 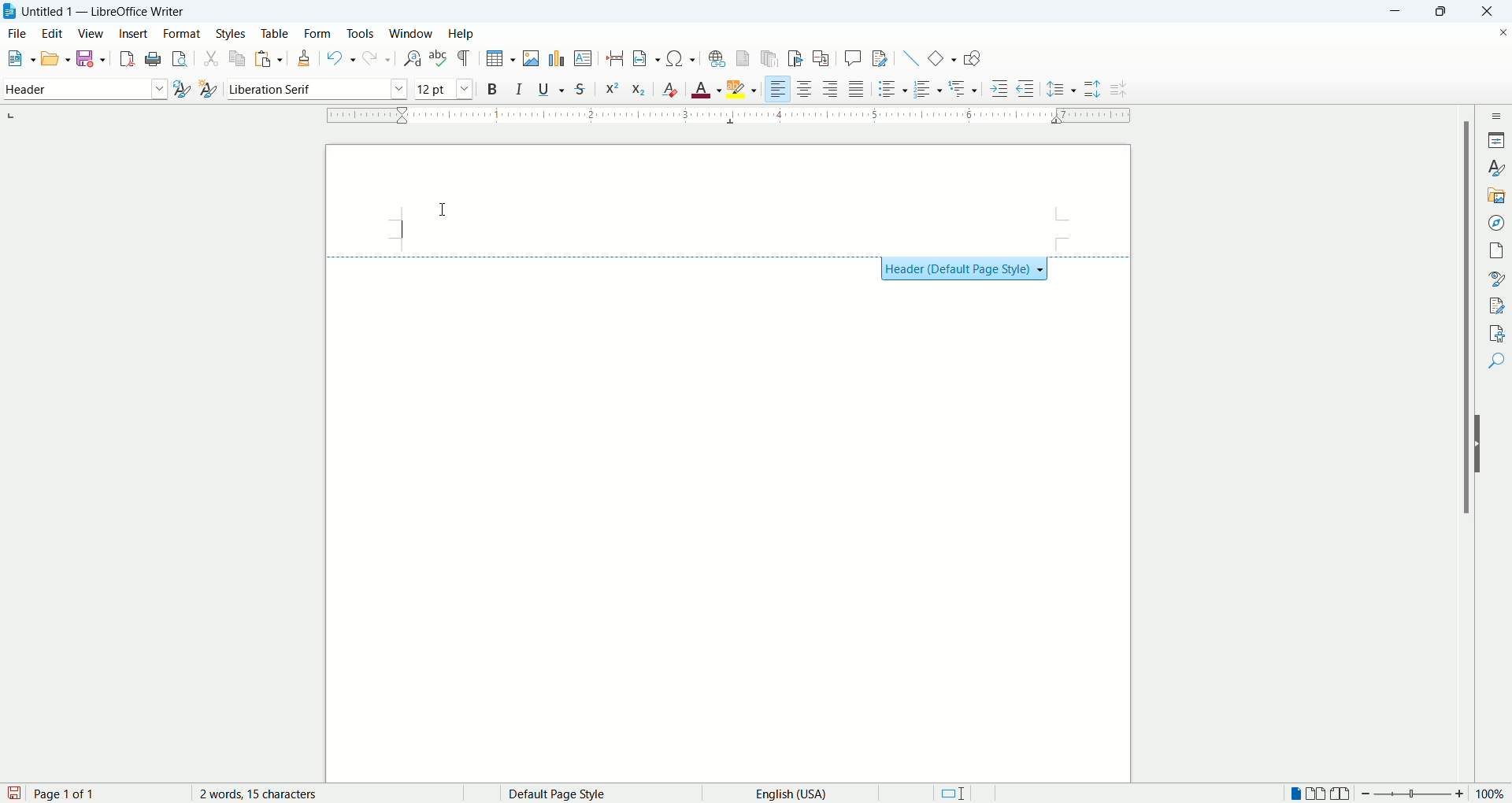 What do you see at coordinates (1496, 334) in the screenshot?
I see `accessibility check` at bounding box center [1496, 334].